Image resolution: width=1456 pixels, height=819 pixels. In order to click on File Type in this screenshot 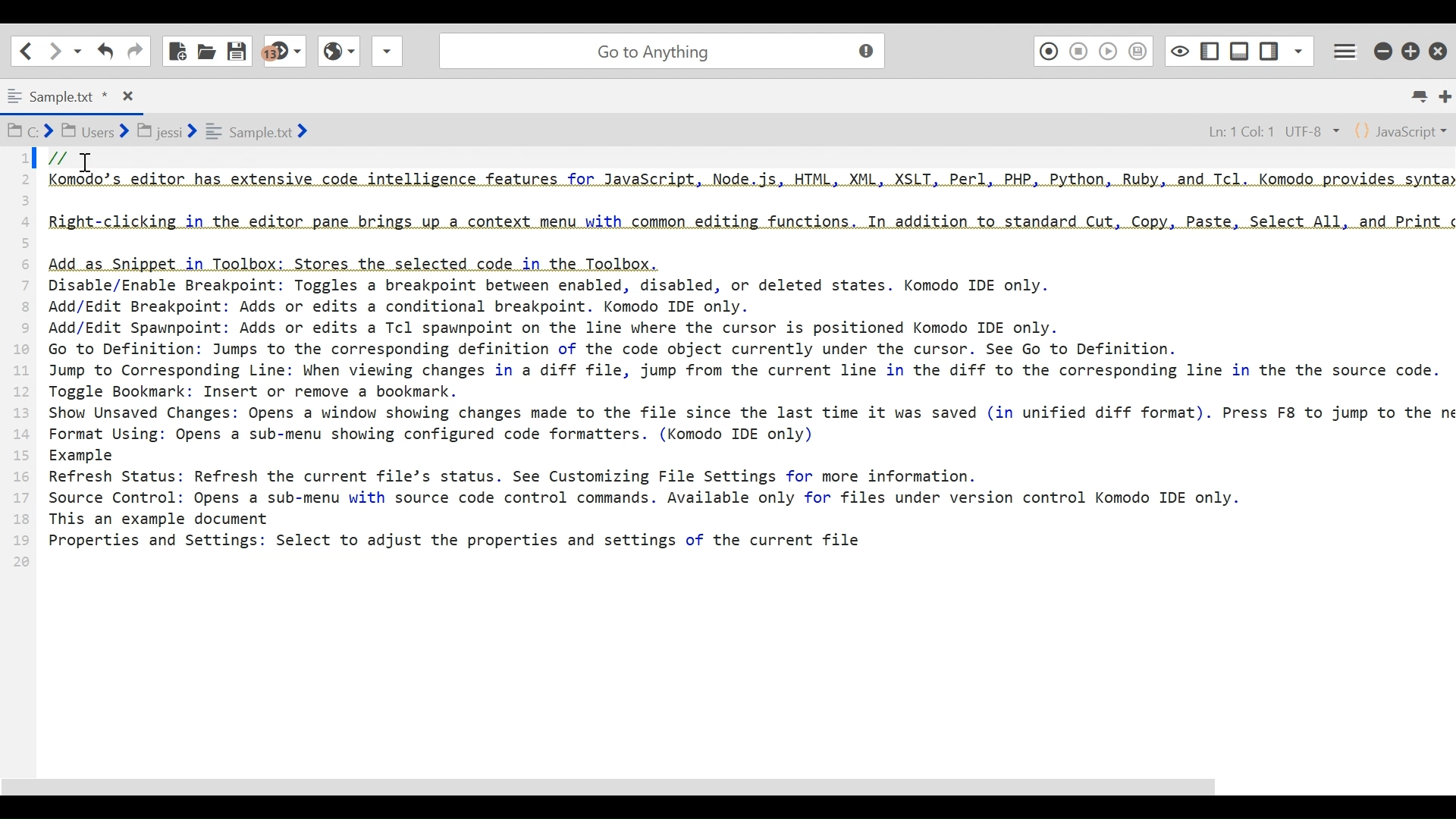, I will do `click(1402, 130)`.